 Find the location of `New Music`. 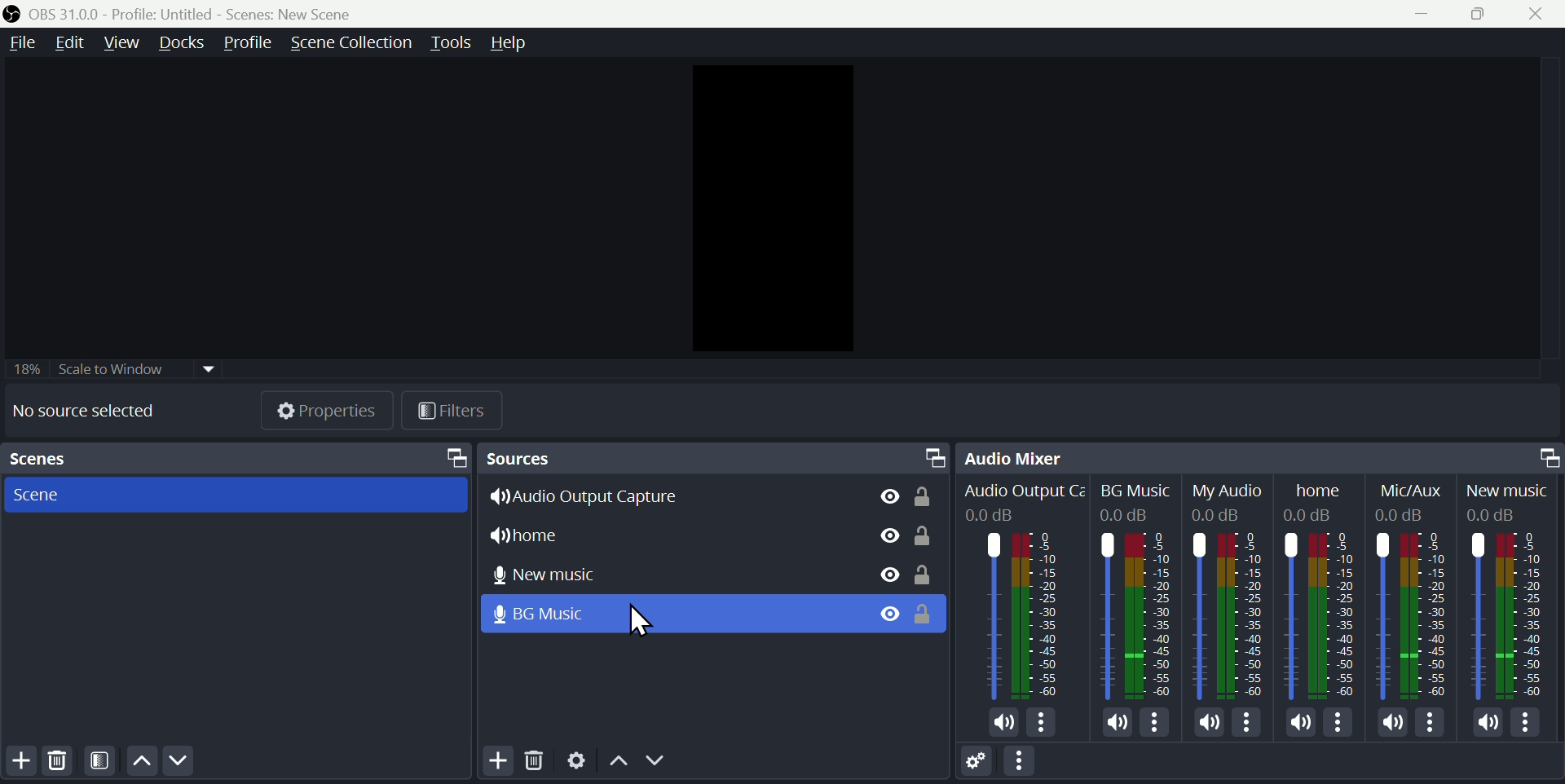

New Music is located at coordinates (1512, 592).